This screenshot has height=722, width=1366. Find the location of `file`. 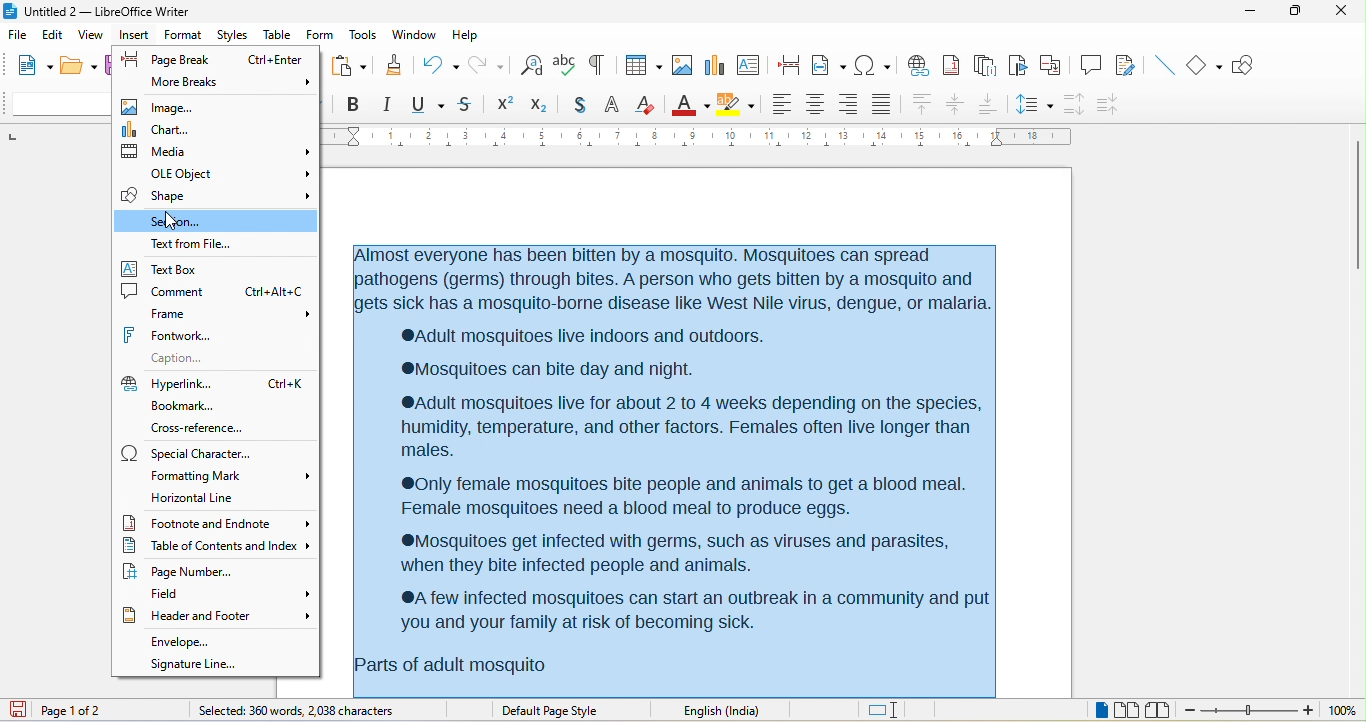

file is located at coordinates (17, 36).